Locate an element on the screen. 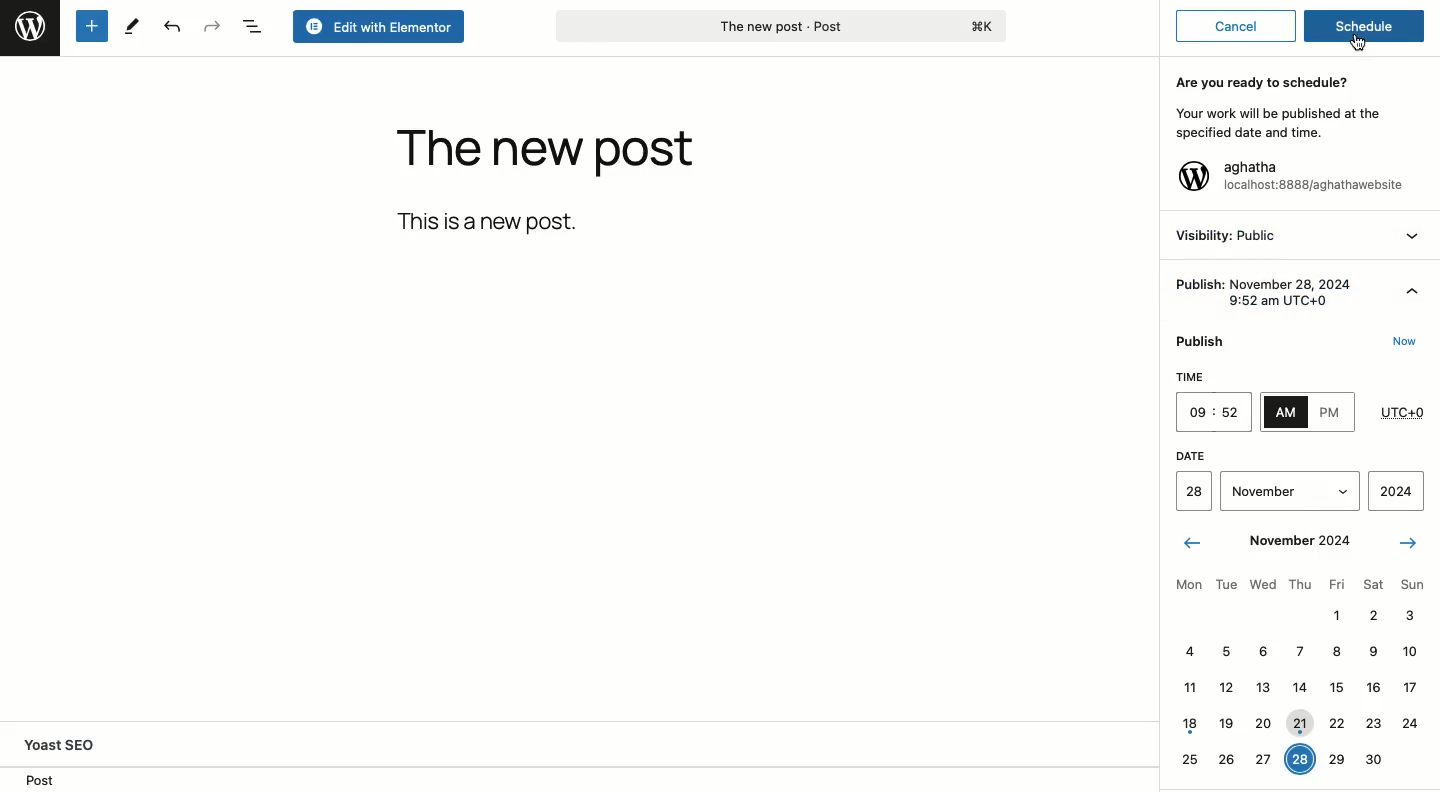  Mon Tue Wed Thu Fri Sat Sun is located at coordinates (1298, 582).